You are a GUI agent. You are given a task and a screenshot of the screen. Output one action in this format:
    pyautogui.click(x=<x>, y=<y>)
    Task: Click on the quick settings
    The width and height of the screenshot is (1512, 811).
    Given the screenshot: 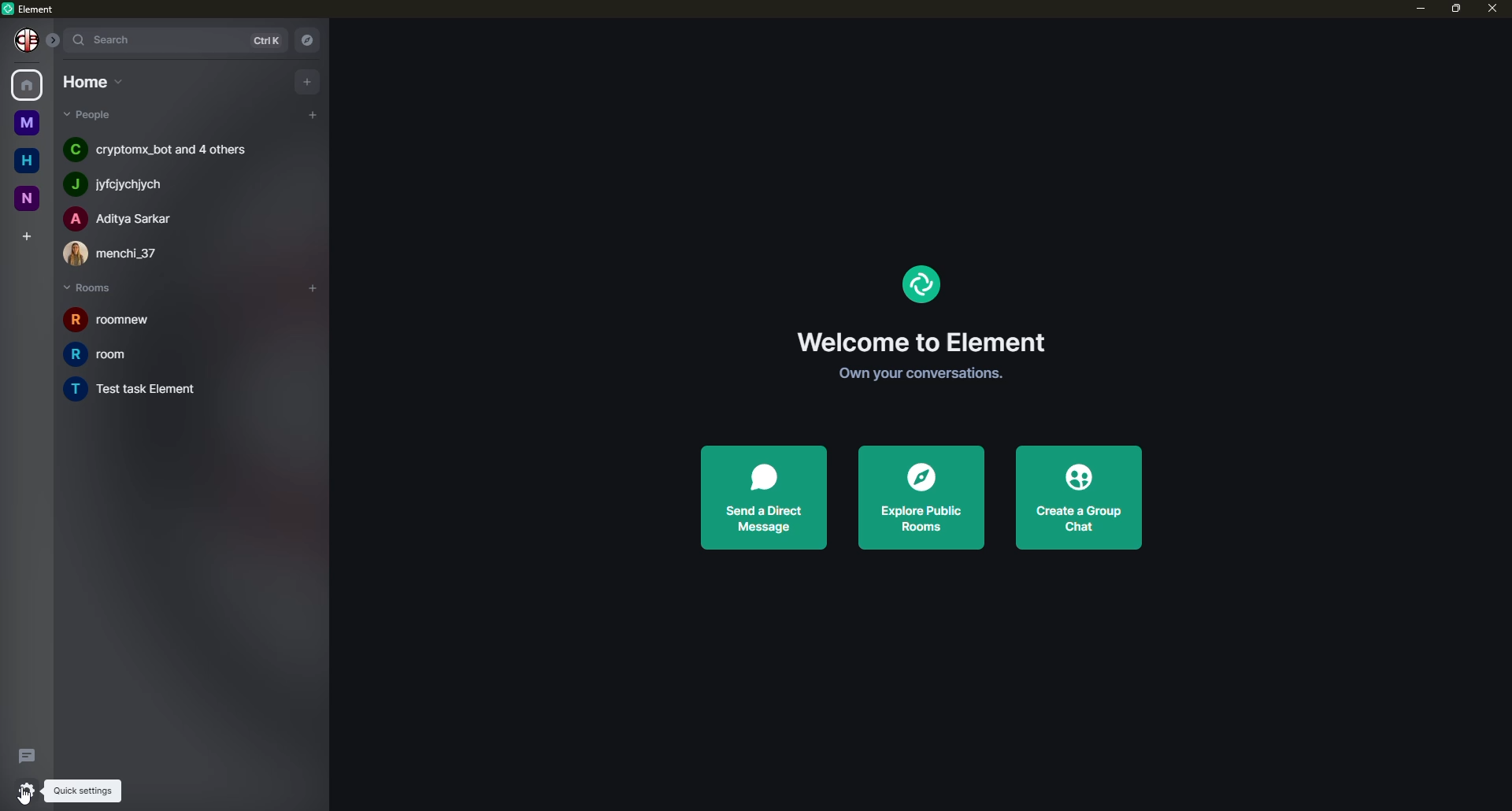 What is the action you would take?
    pyautogui.click(x=81, y=791)
    